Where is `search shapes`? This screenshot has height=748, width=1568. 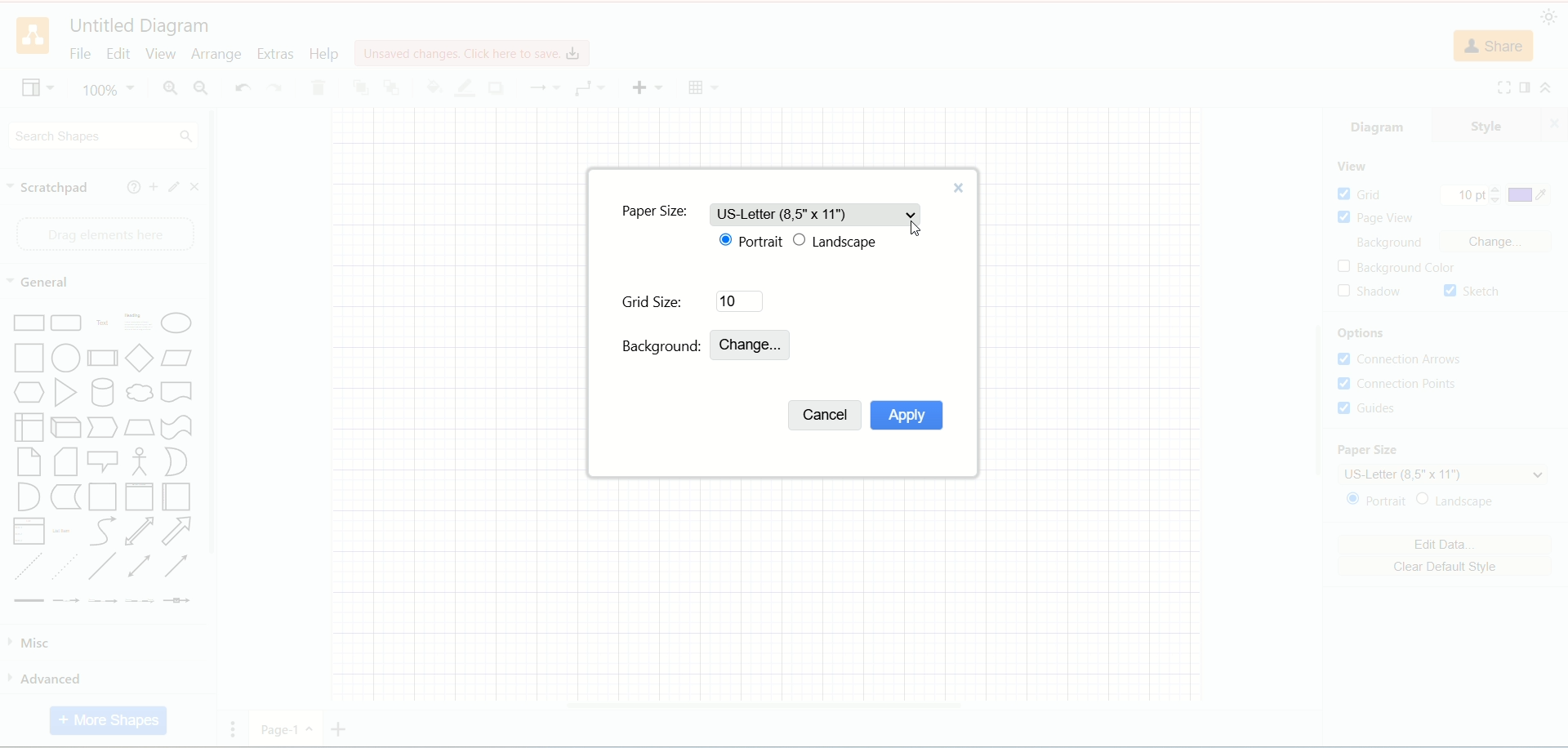
search shapes is located at coordinates (103, 135).